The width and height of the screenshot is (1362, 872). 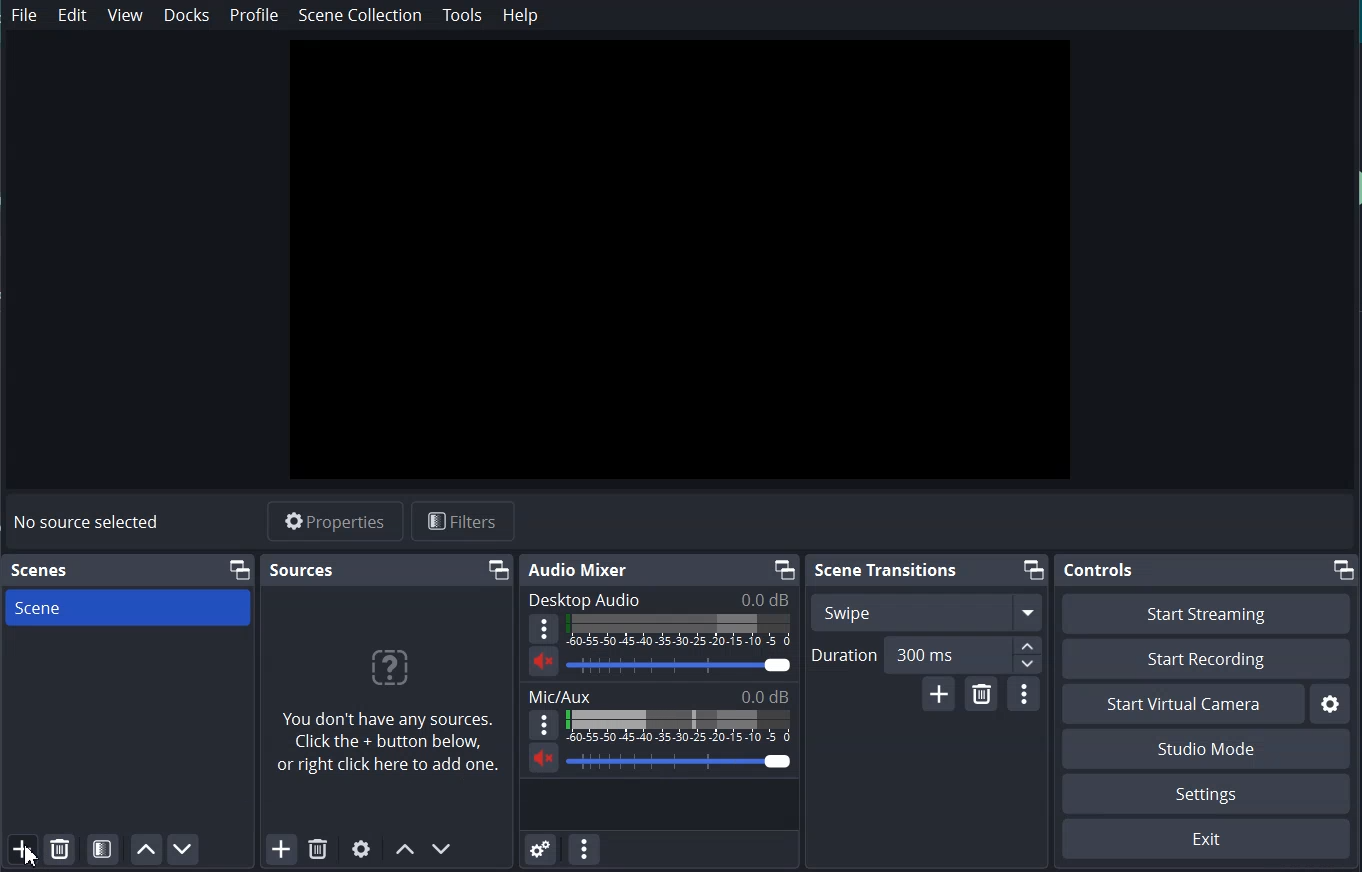 I want to click on Add scene, so click(x=21, y=849).